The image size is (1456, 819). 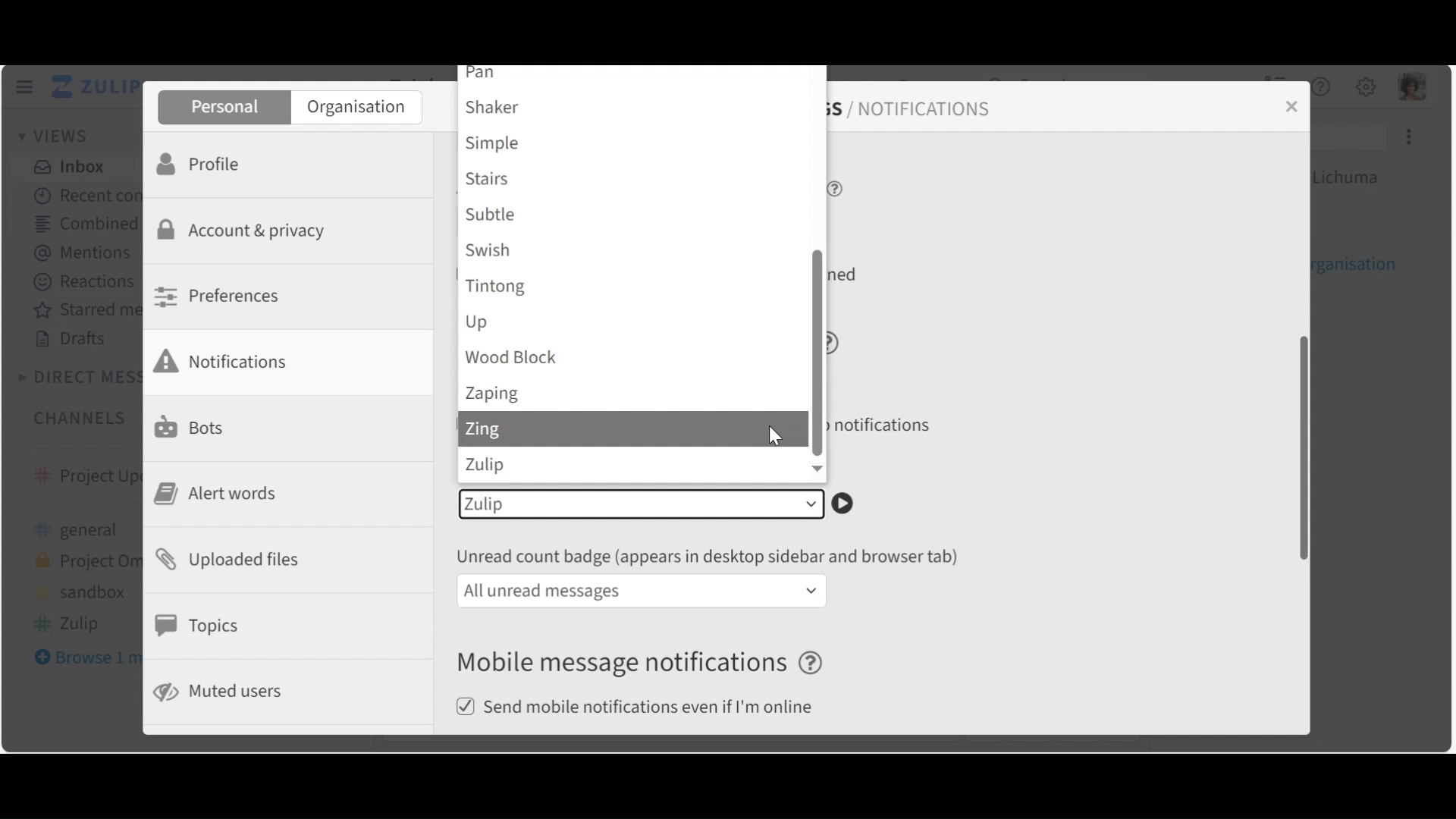 I want to click on Pan, so click(x=635, y=76).